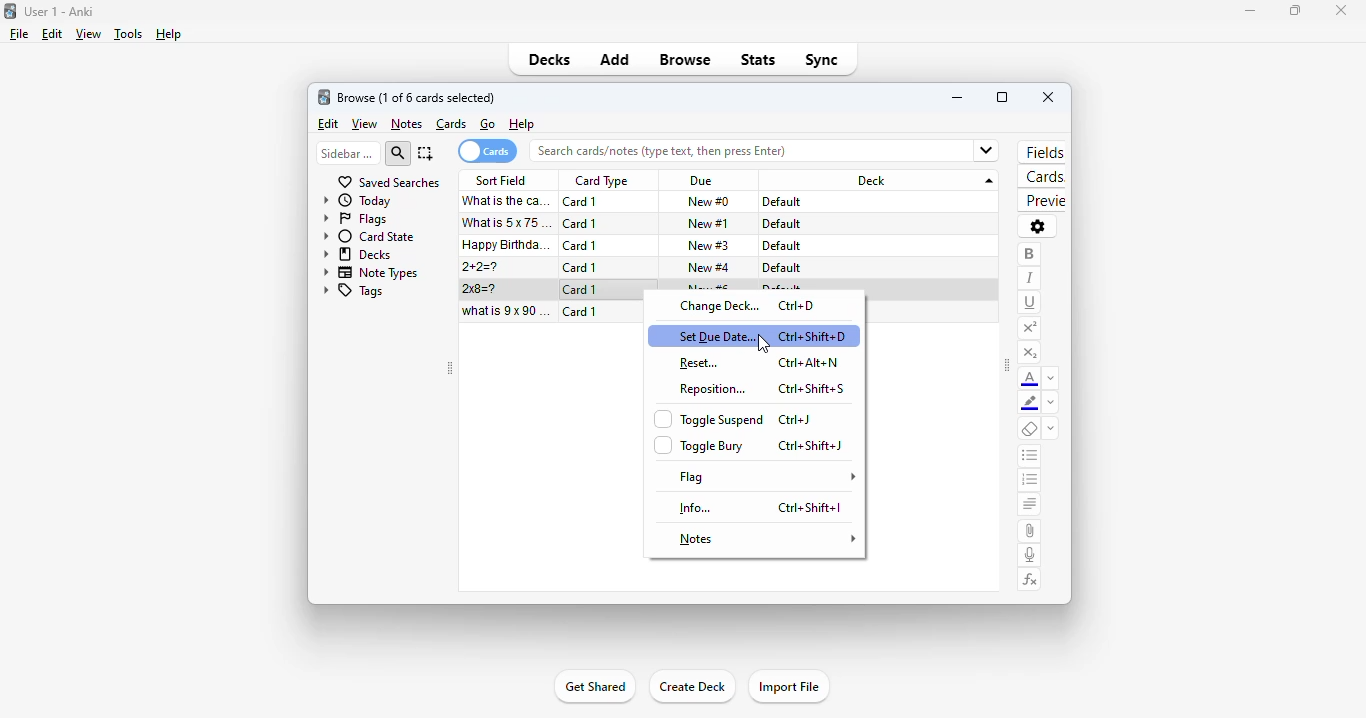 The image size is (1366, 718). What do you see at coordinates (1051, 404) in the screenshot?
I see `change color` at bounding box center [1051, 404].